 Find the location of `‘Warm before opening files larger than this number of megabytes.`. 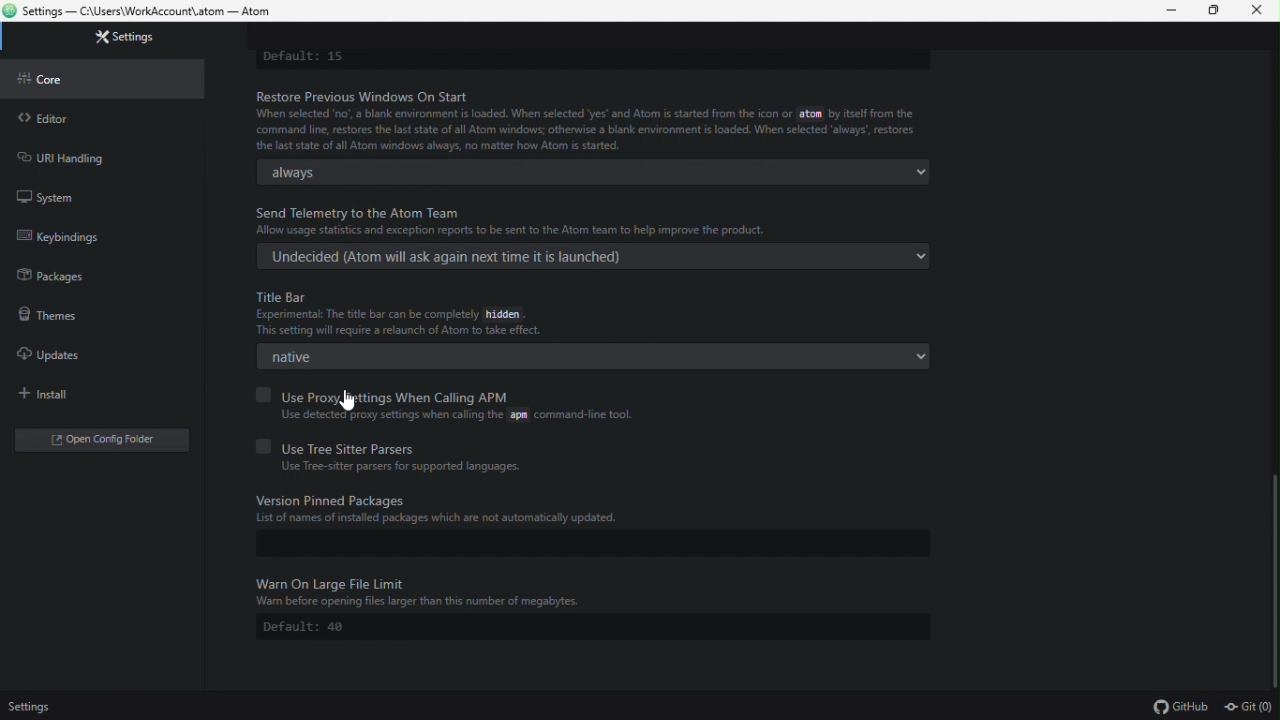

‘Warm before opening files larger than this number of megabytes. is located at coordinates (423, 603).